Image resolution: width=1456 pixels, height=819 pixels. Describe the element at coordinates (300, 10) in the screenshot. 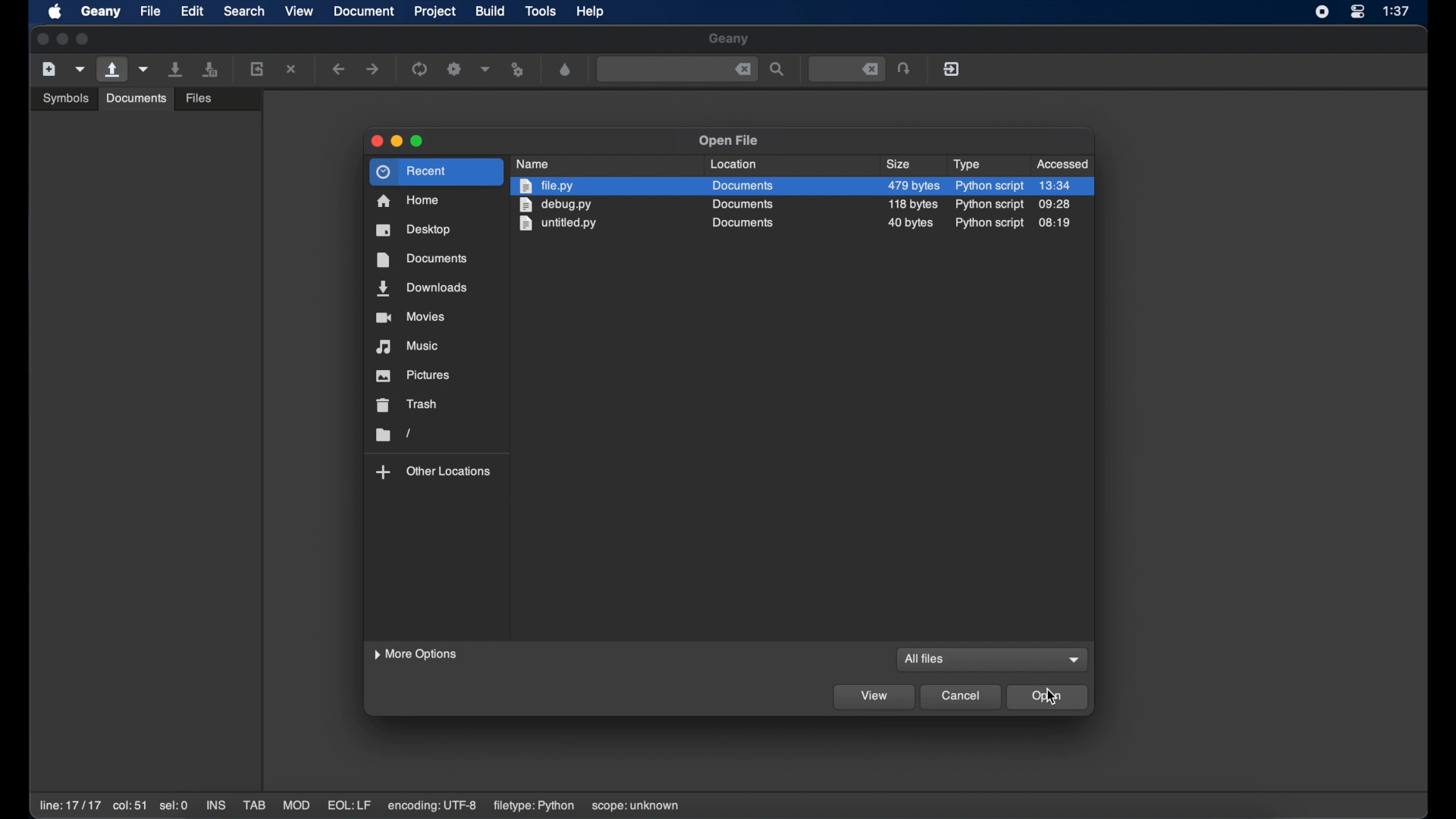

I see `view` at that location.